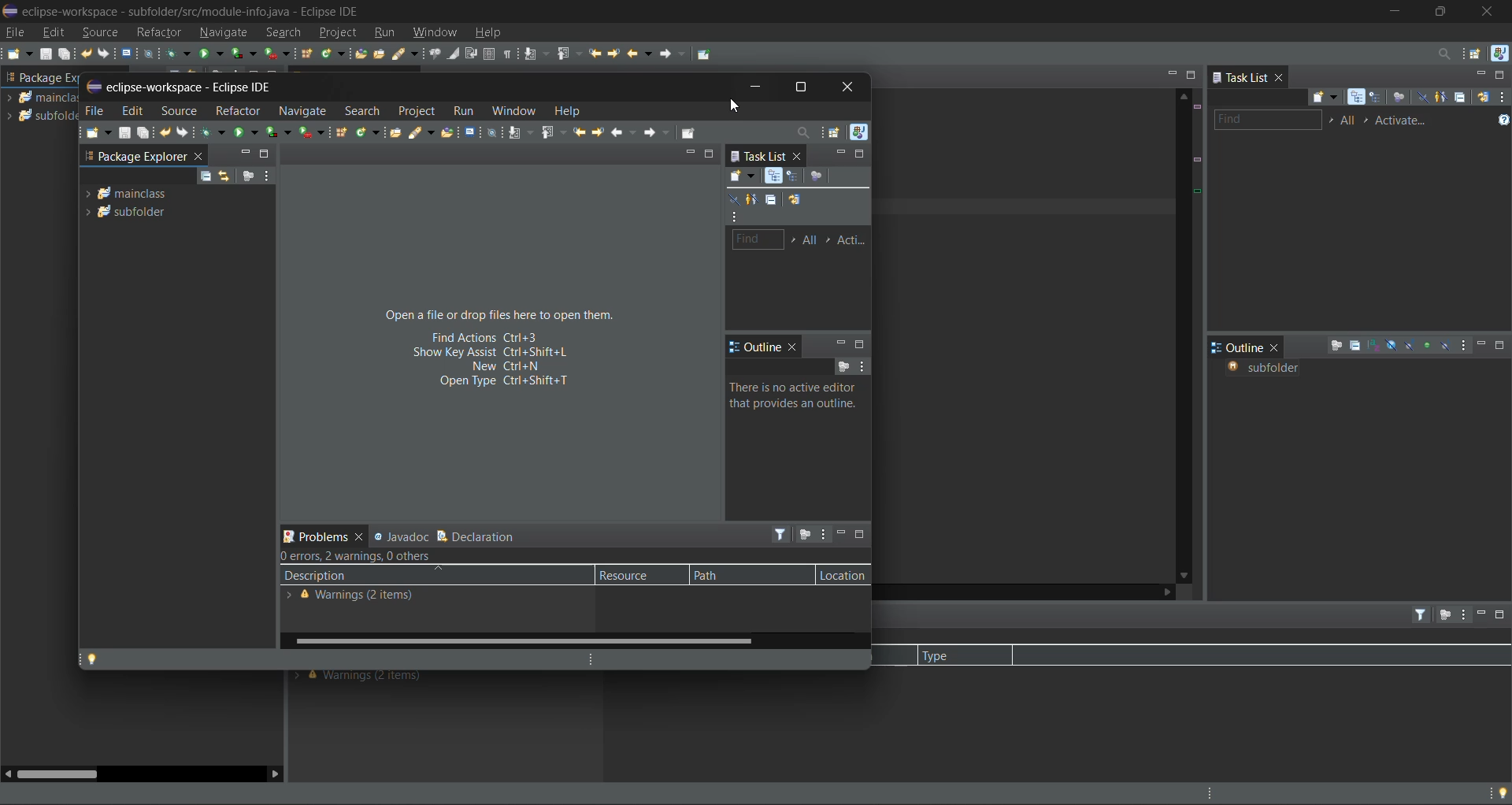  I want to click on toggle word wrap, so click(473, 52).